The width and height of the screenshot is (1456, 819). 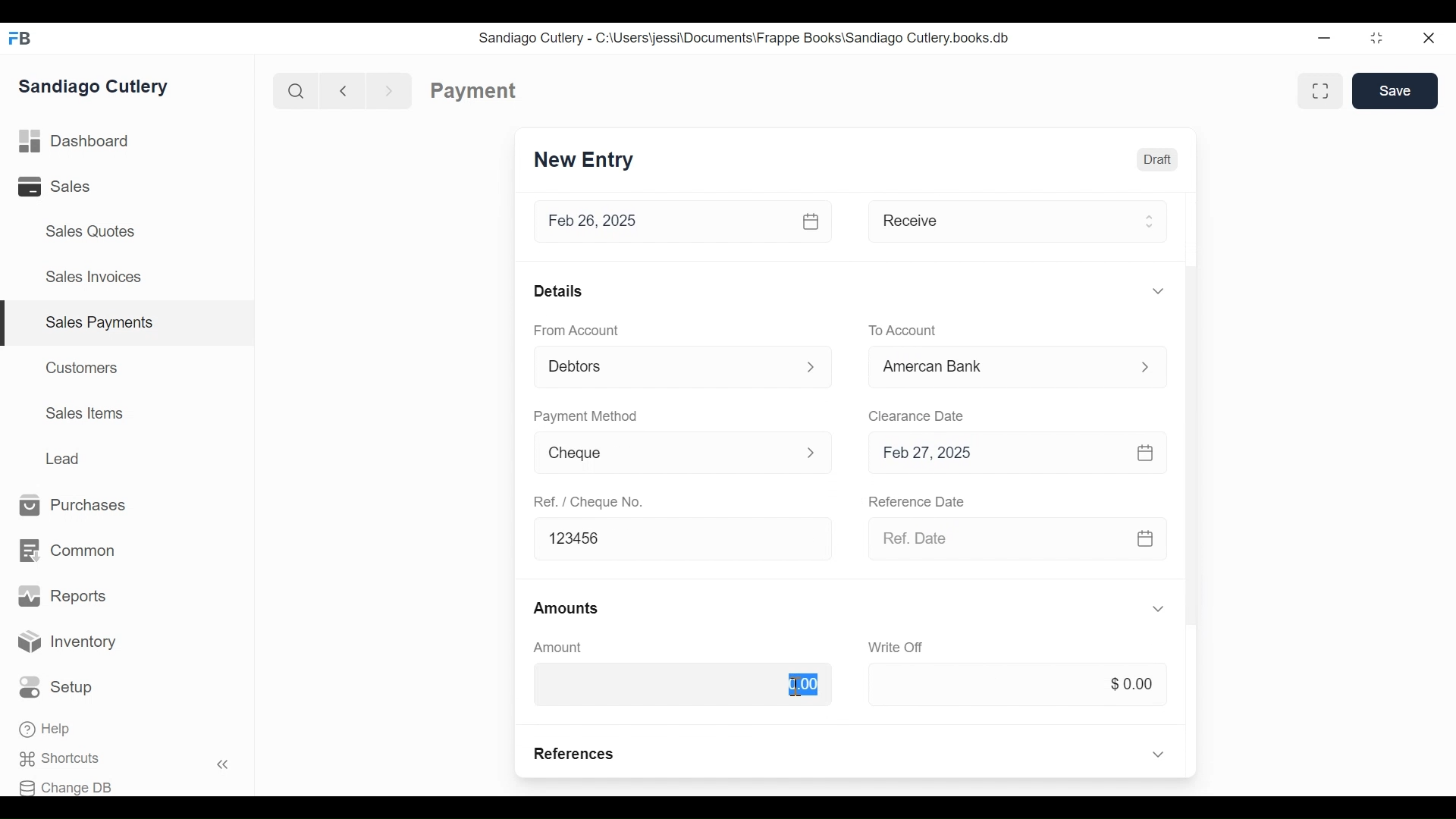 What do you see at coordinates (74, 142) in the screenshot?
I see `Dashboard` at bounding box center [74, 142].